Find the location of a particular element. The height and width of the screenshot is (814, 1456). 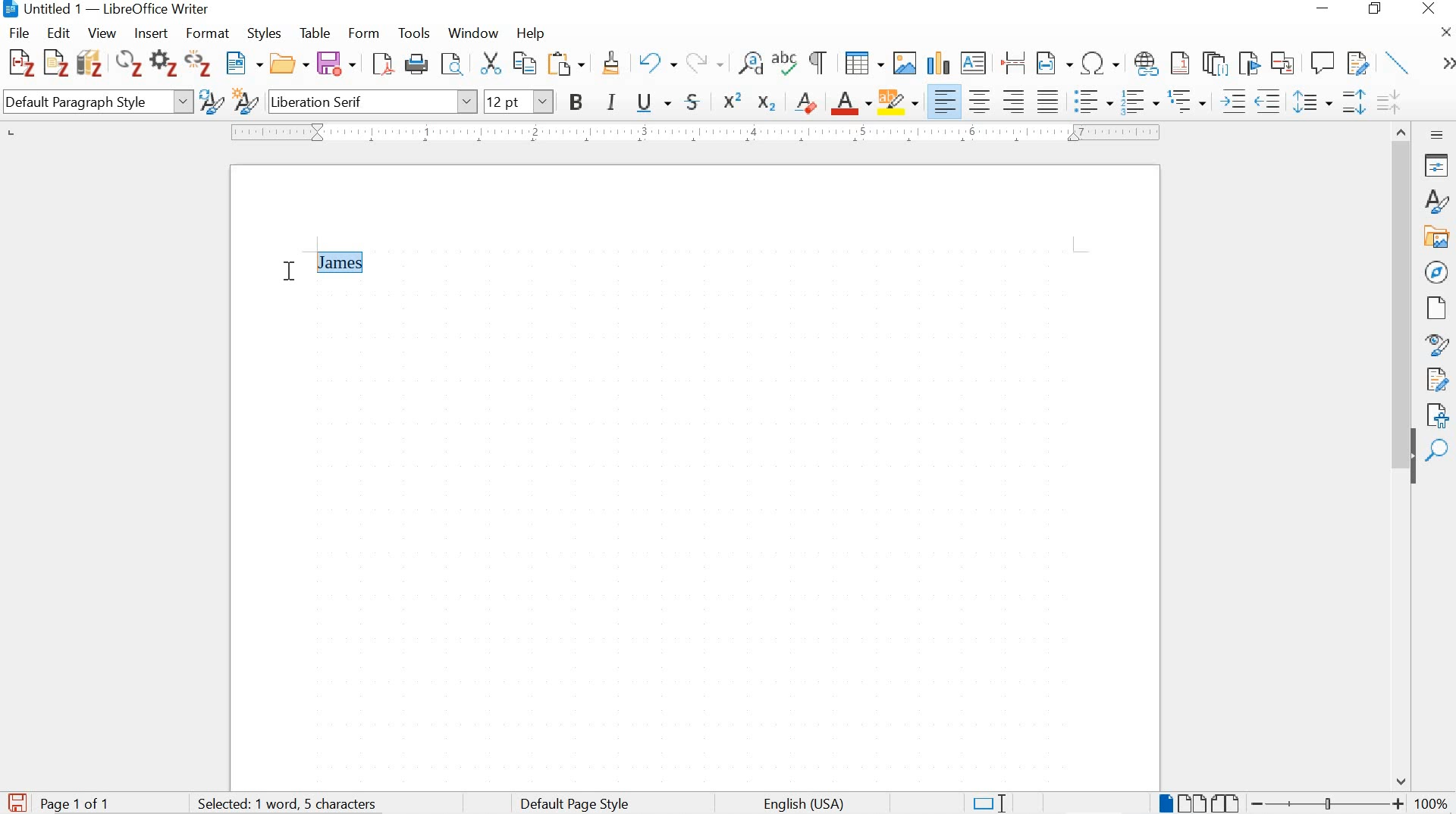

move down is located at coordinates (1402, 781).